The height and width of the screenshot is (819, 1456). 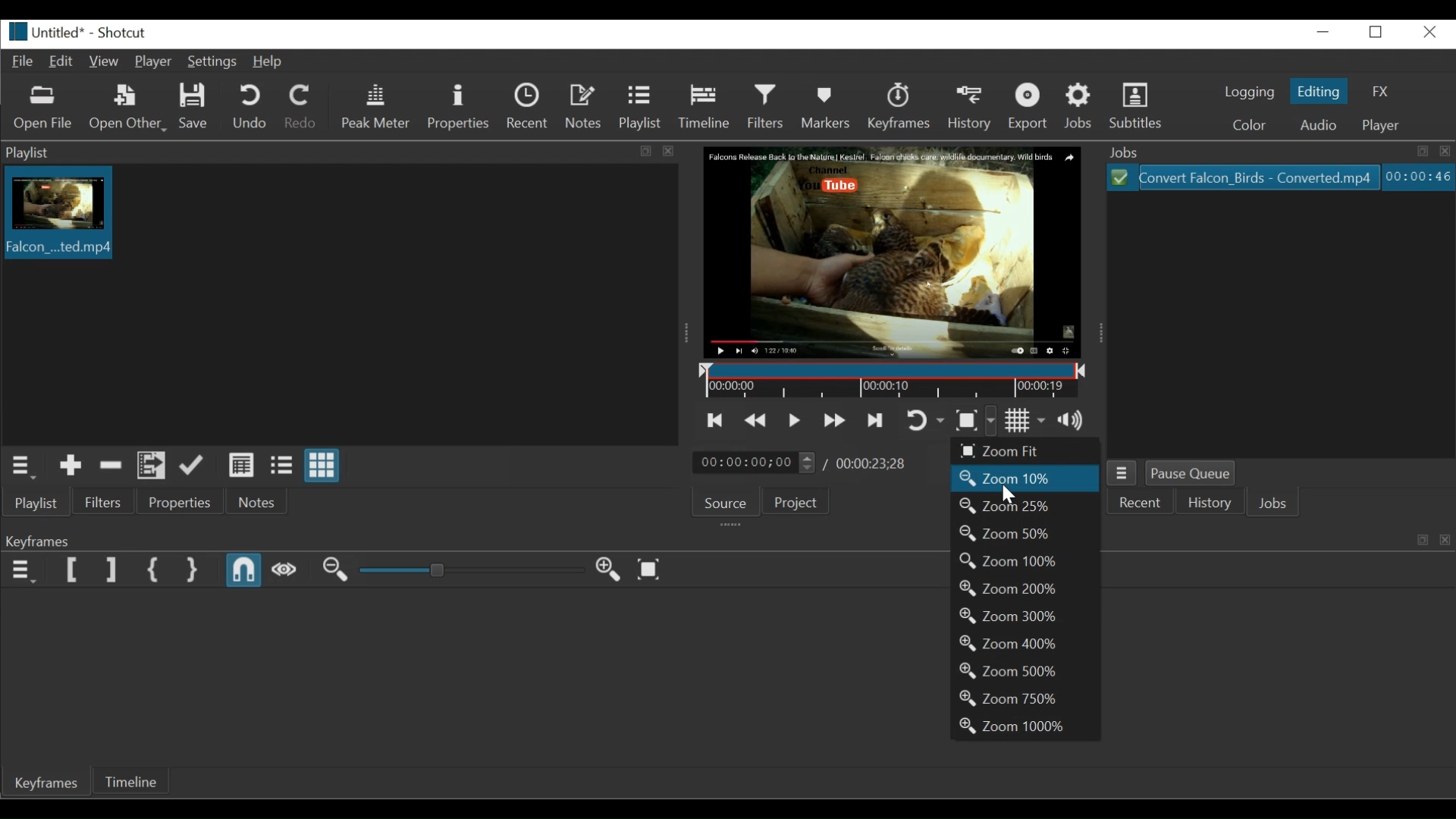 I want to click on Zoom 750%, so click(x=1025, y=699).